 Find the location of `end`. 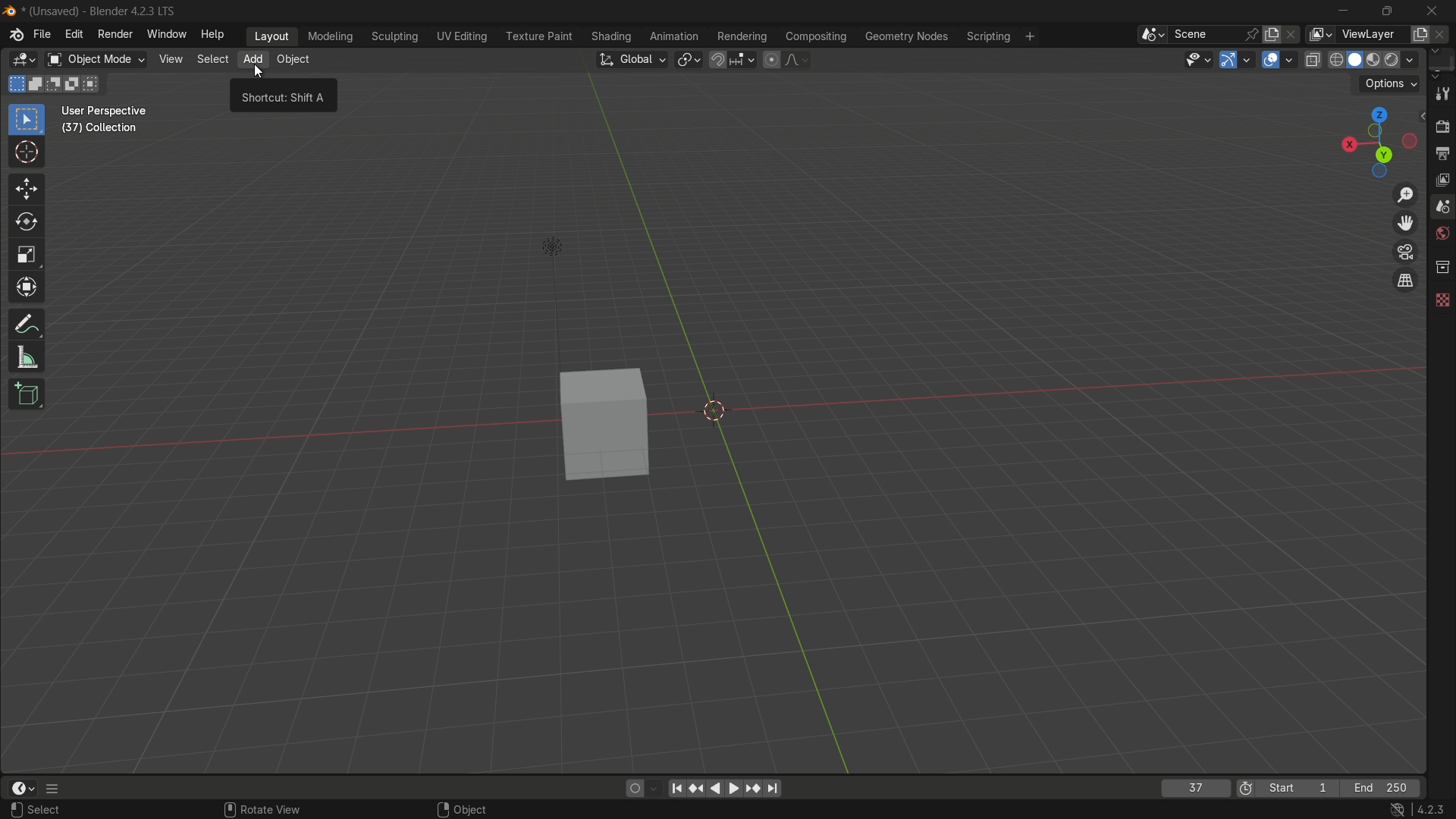

end is located at coordinates (1385, 789).